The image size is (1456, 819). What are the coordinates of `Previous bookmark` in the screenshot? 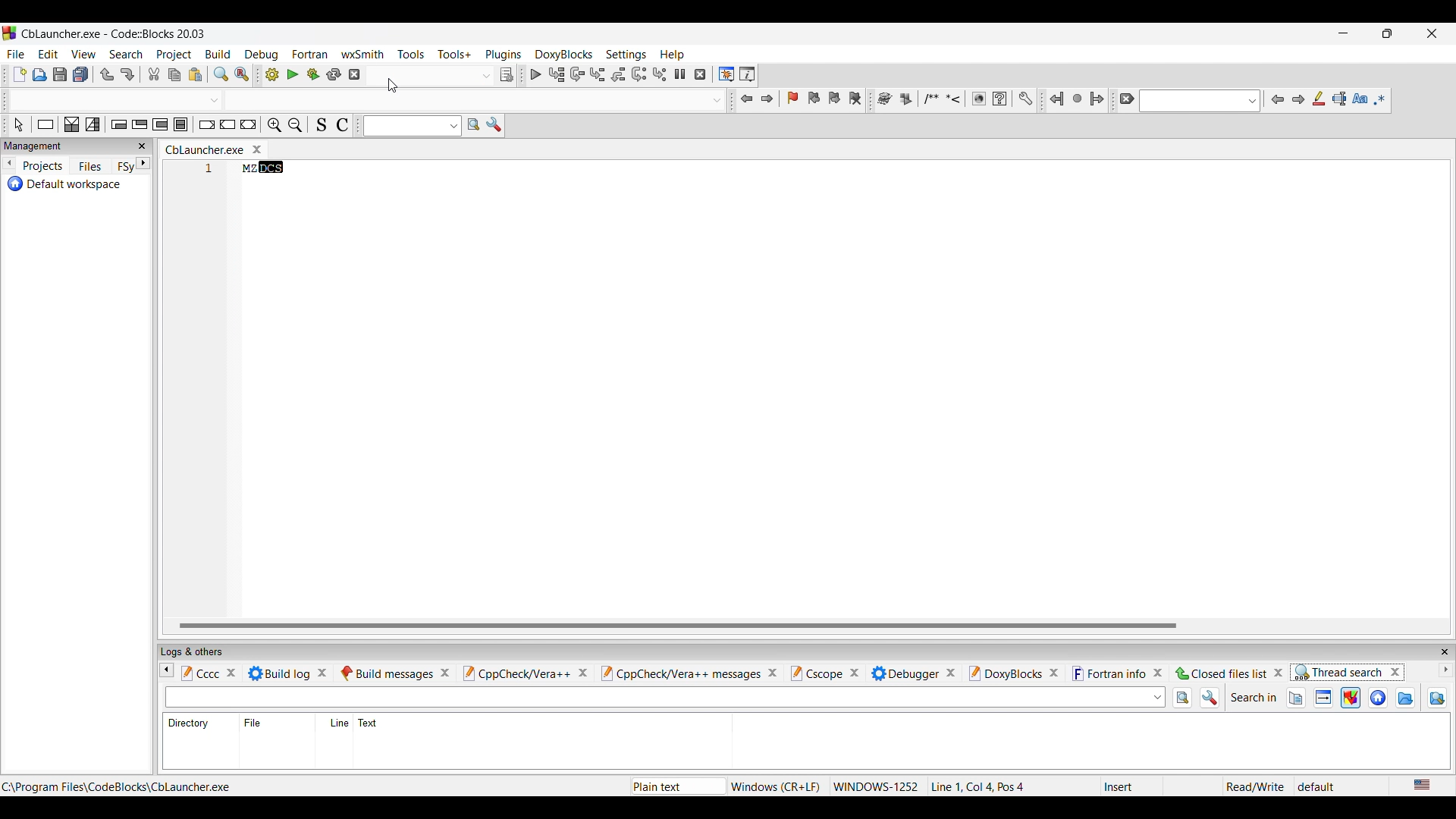 It's located at (814, 98).